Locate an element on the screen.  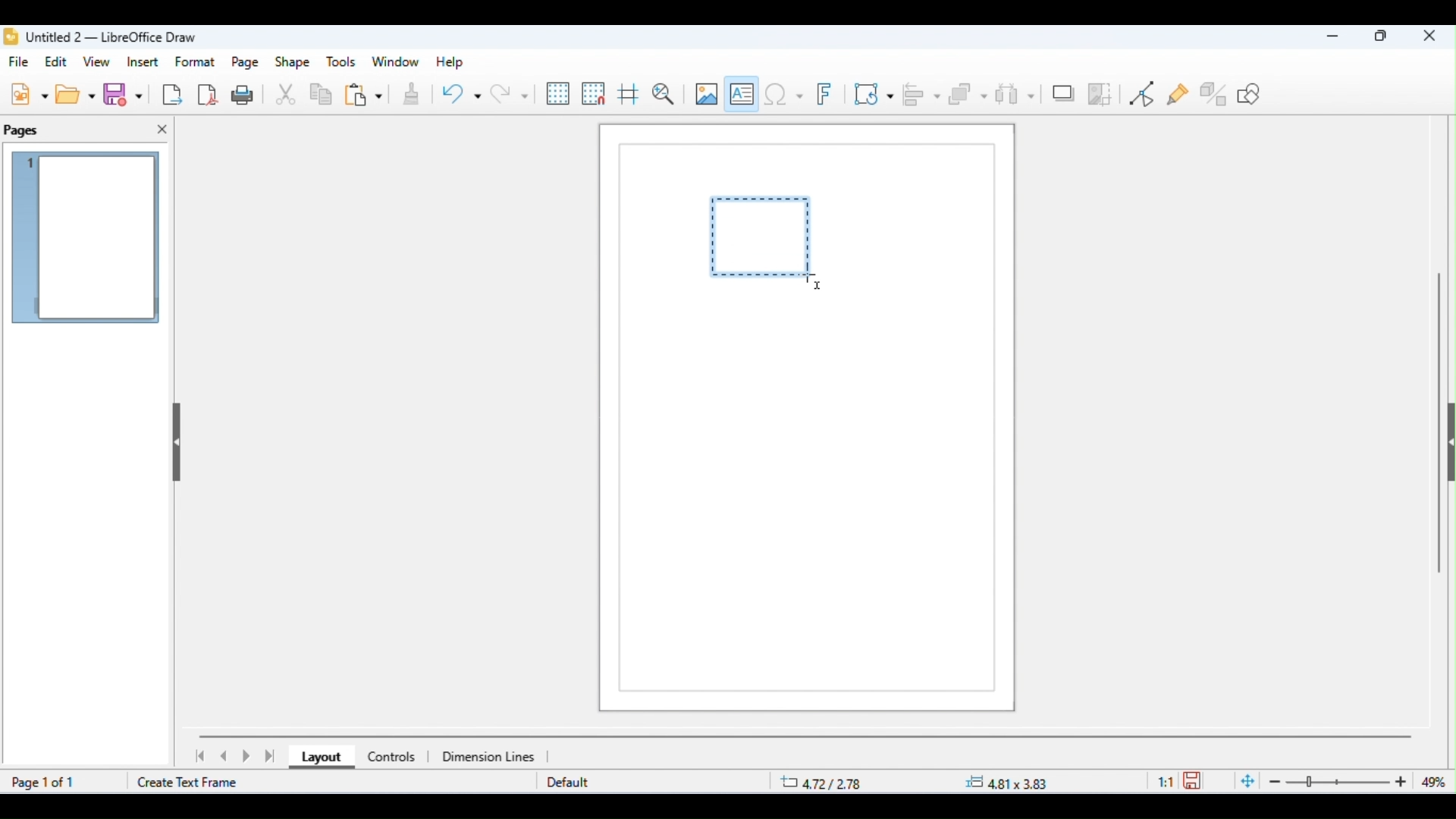
cursor is located at coordinates (812, 281).